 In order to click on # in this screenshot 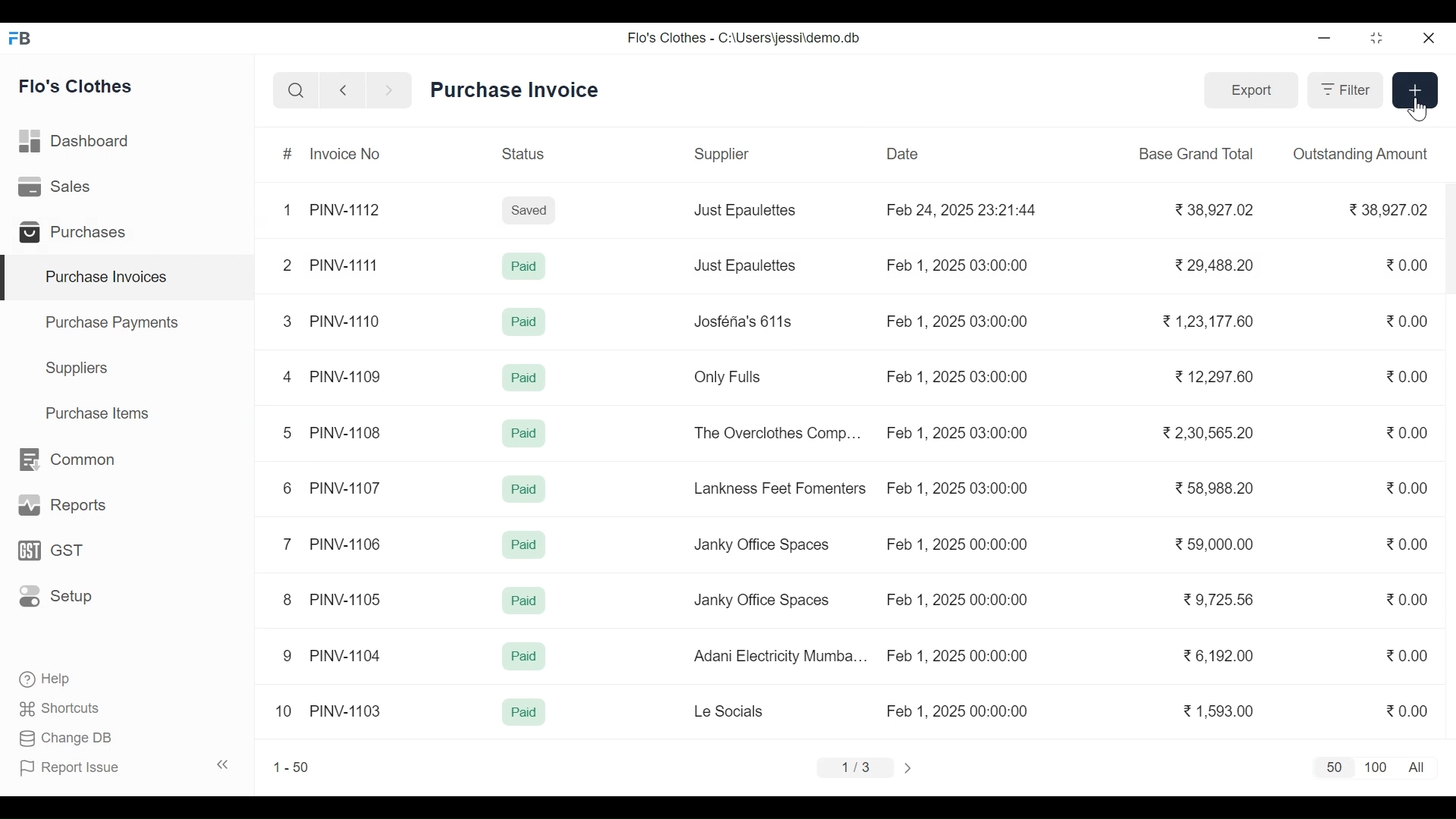, I will do `click(288, 155)`.